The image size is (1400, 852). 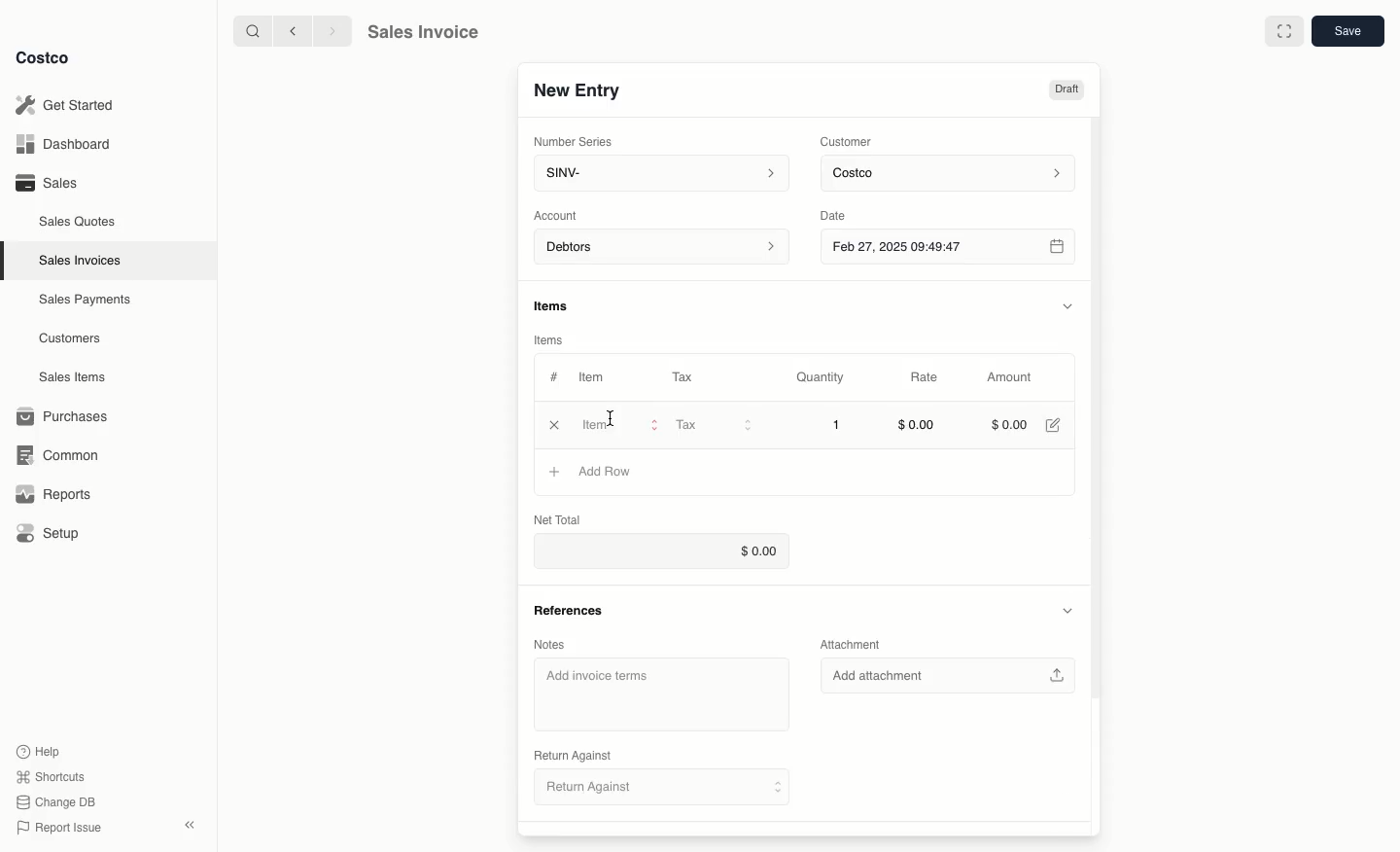 What do you see at coordinates (330, 30) in the screenshot?
I see `forward` at bounding box center [330, 30].